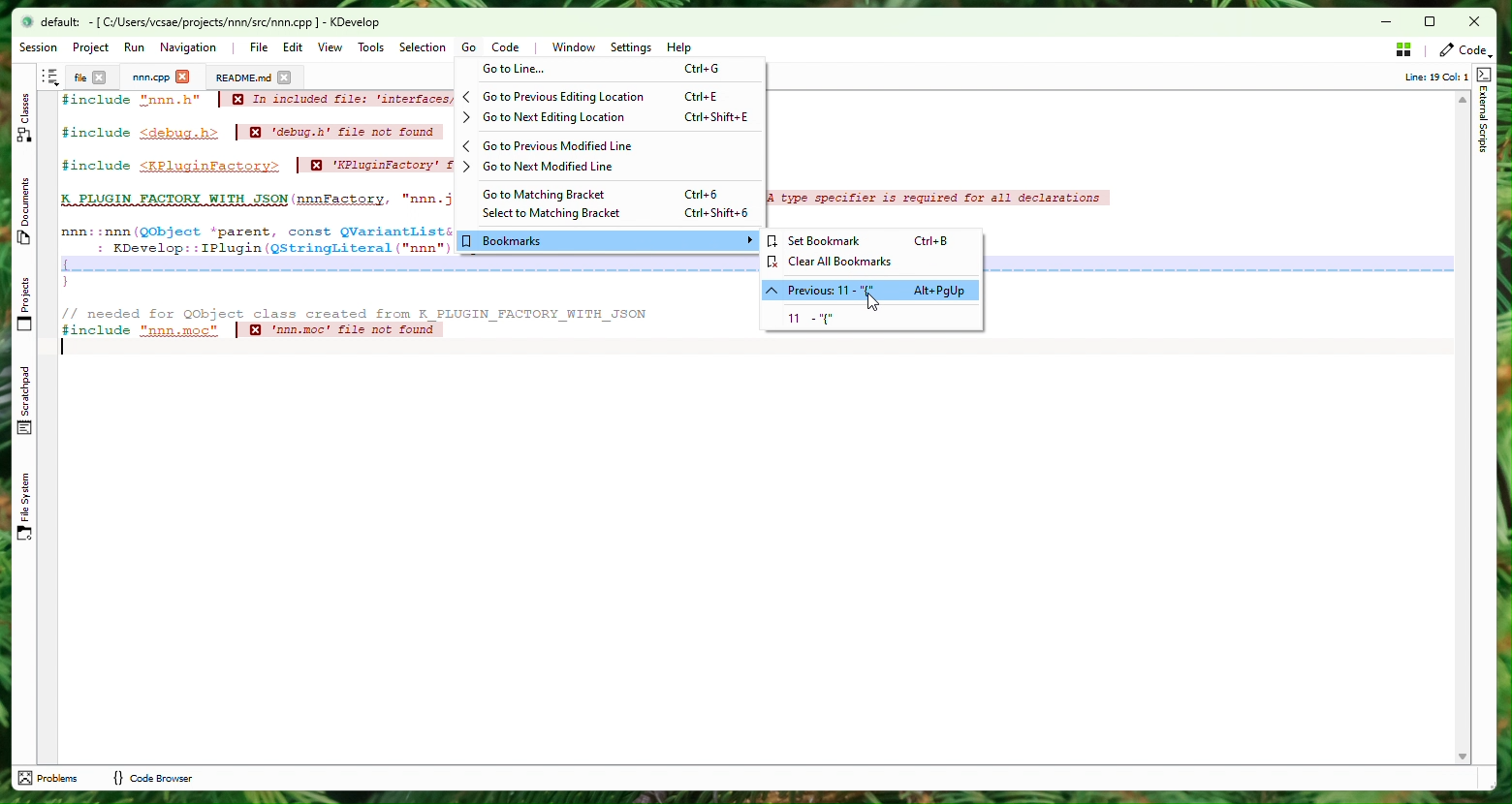 The height and width of the screenshot is (804, 1512). What do you see at coordinates (242, 77) in the screenshot?
I see `Documents` at bounding box center [242, 77].